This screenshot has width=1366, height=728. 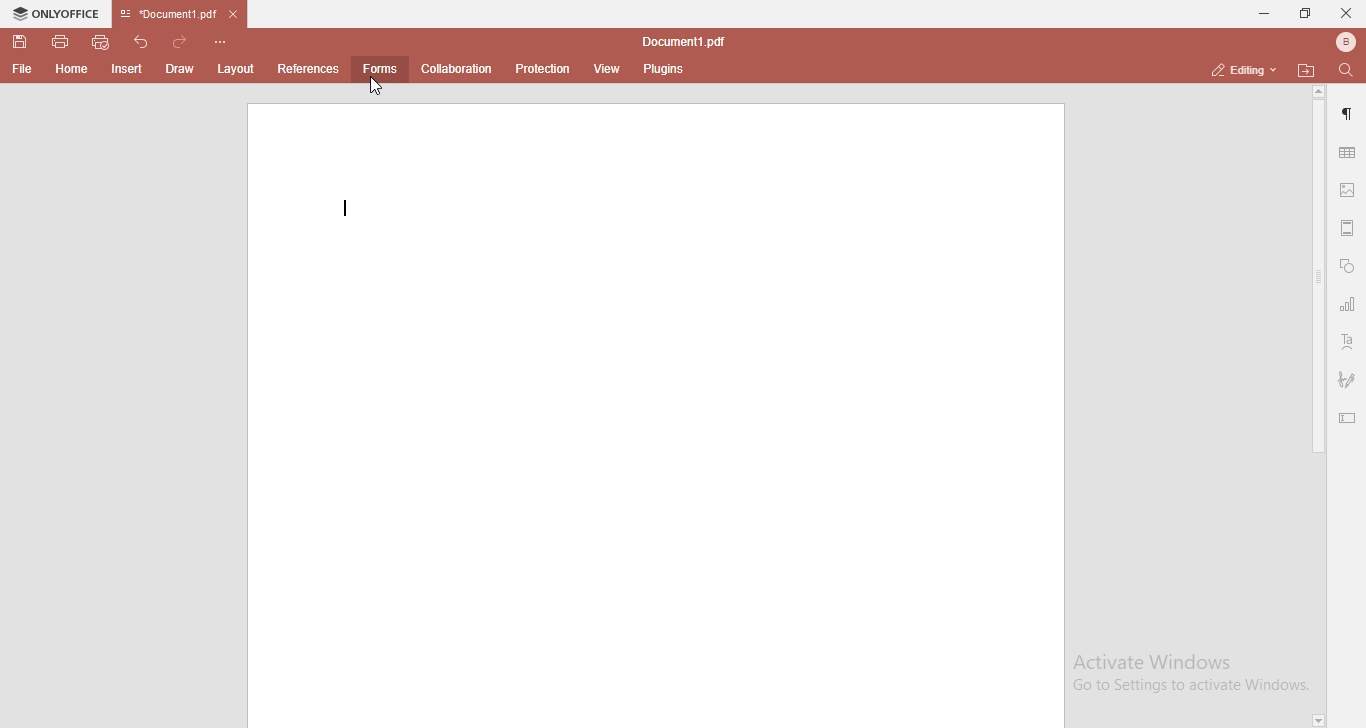 I want to click on paragraph, so click(x=1350, y=117).